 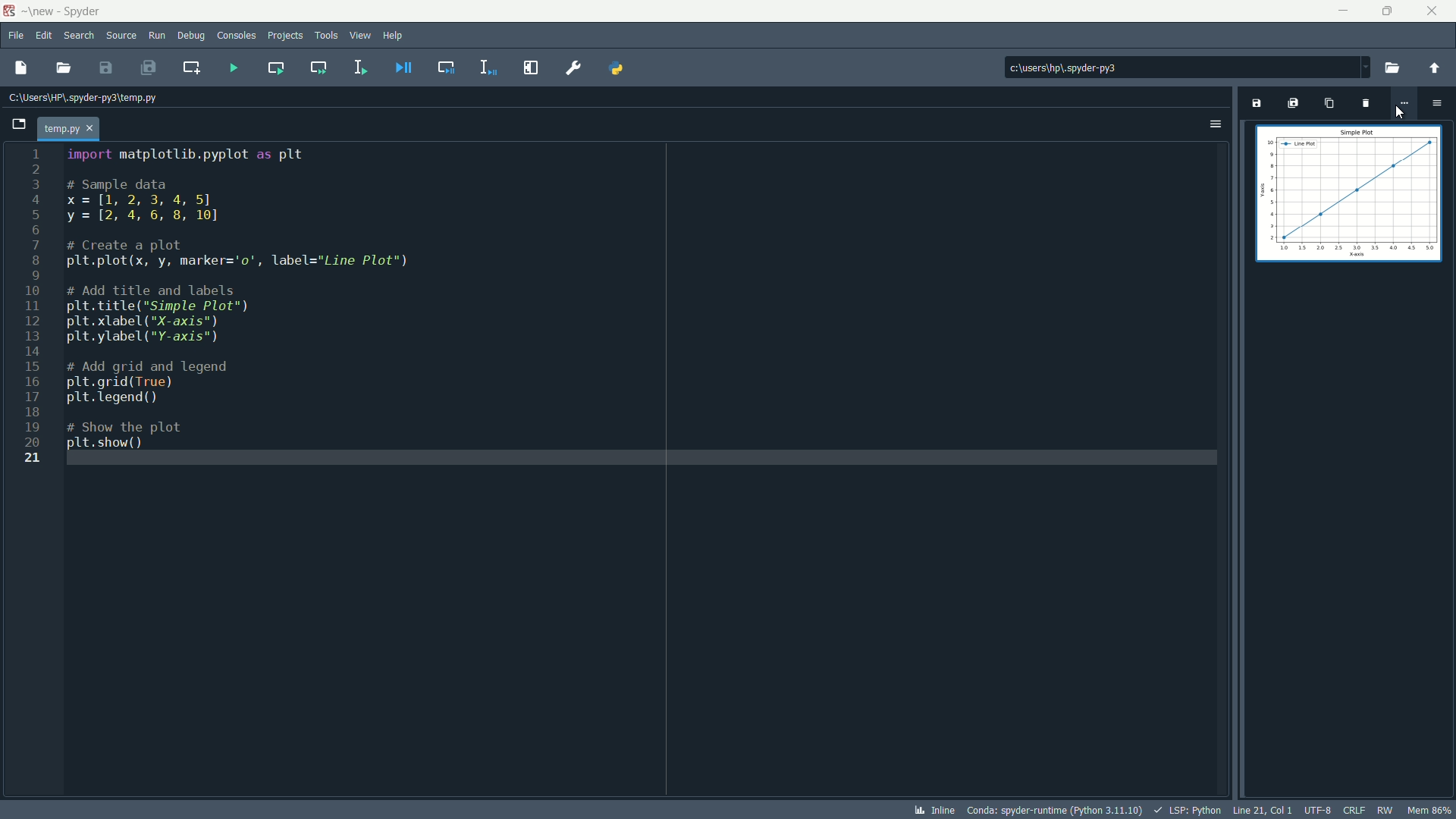 What do you see at coordinates (623, 67) in the screenshot?
I see `PYTHONPATH manager` at bounding box center [623, 67].